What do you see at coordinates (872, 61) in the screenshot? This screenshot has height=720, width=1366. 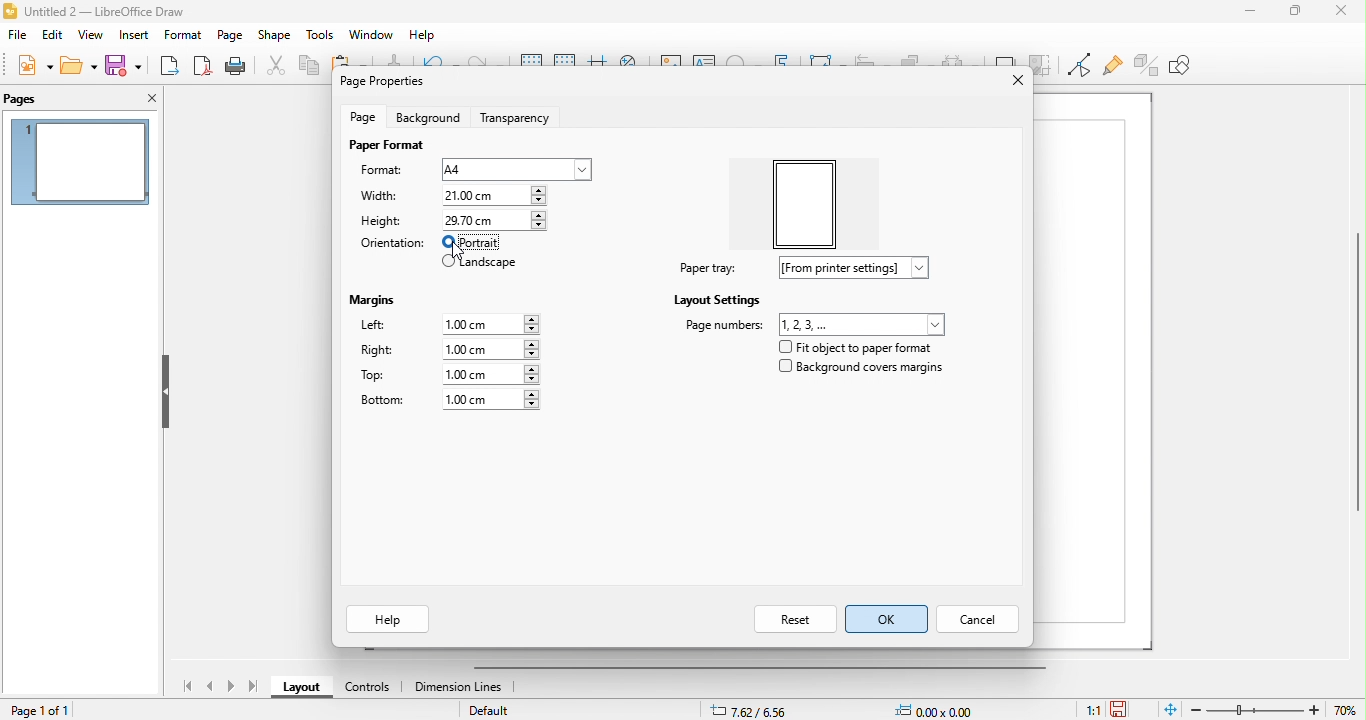 I see `align objects` at bounding box center [872, 61].